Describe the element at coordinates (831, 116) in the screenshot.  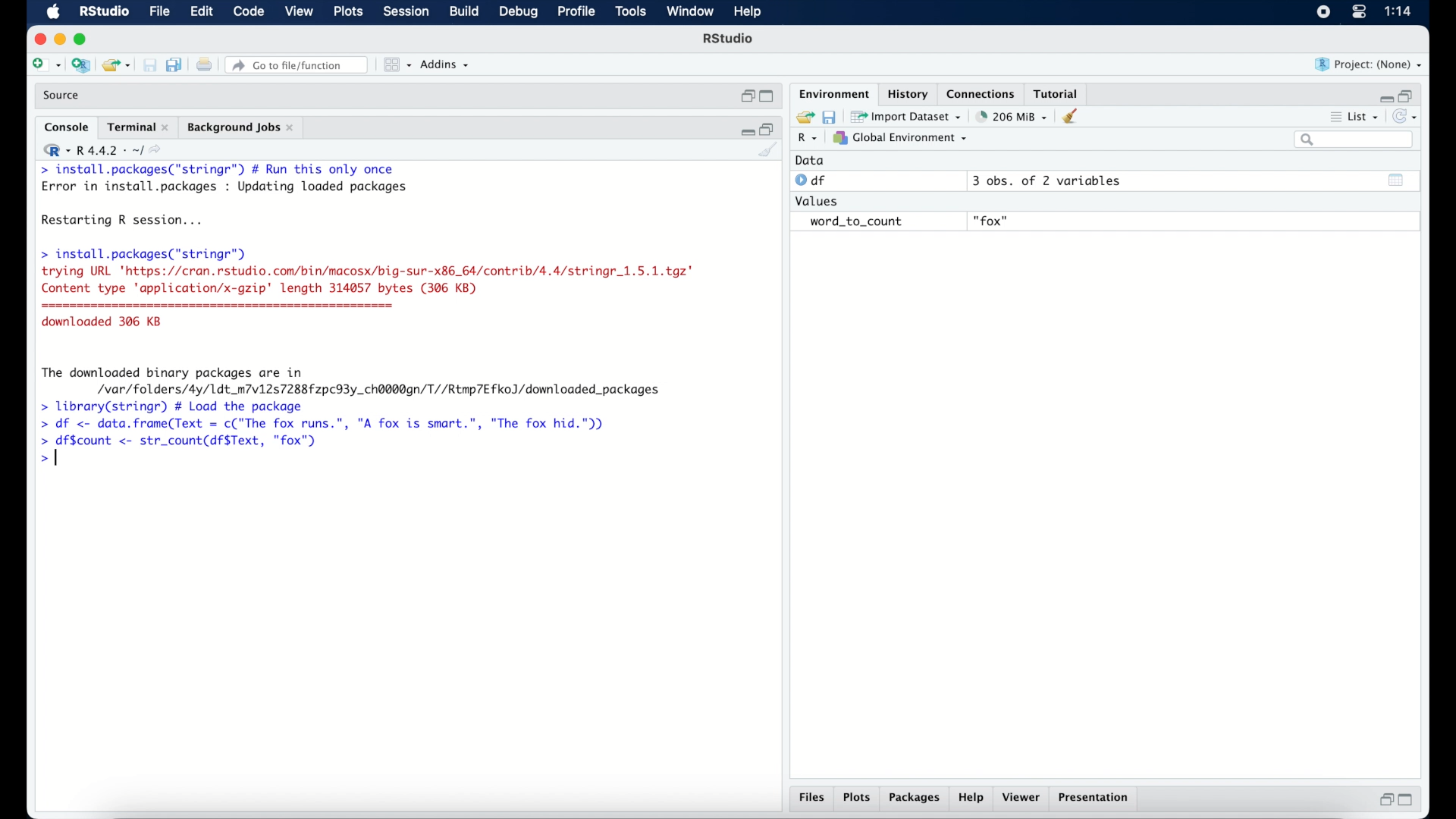
I see `save` at that location.